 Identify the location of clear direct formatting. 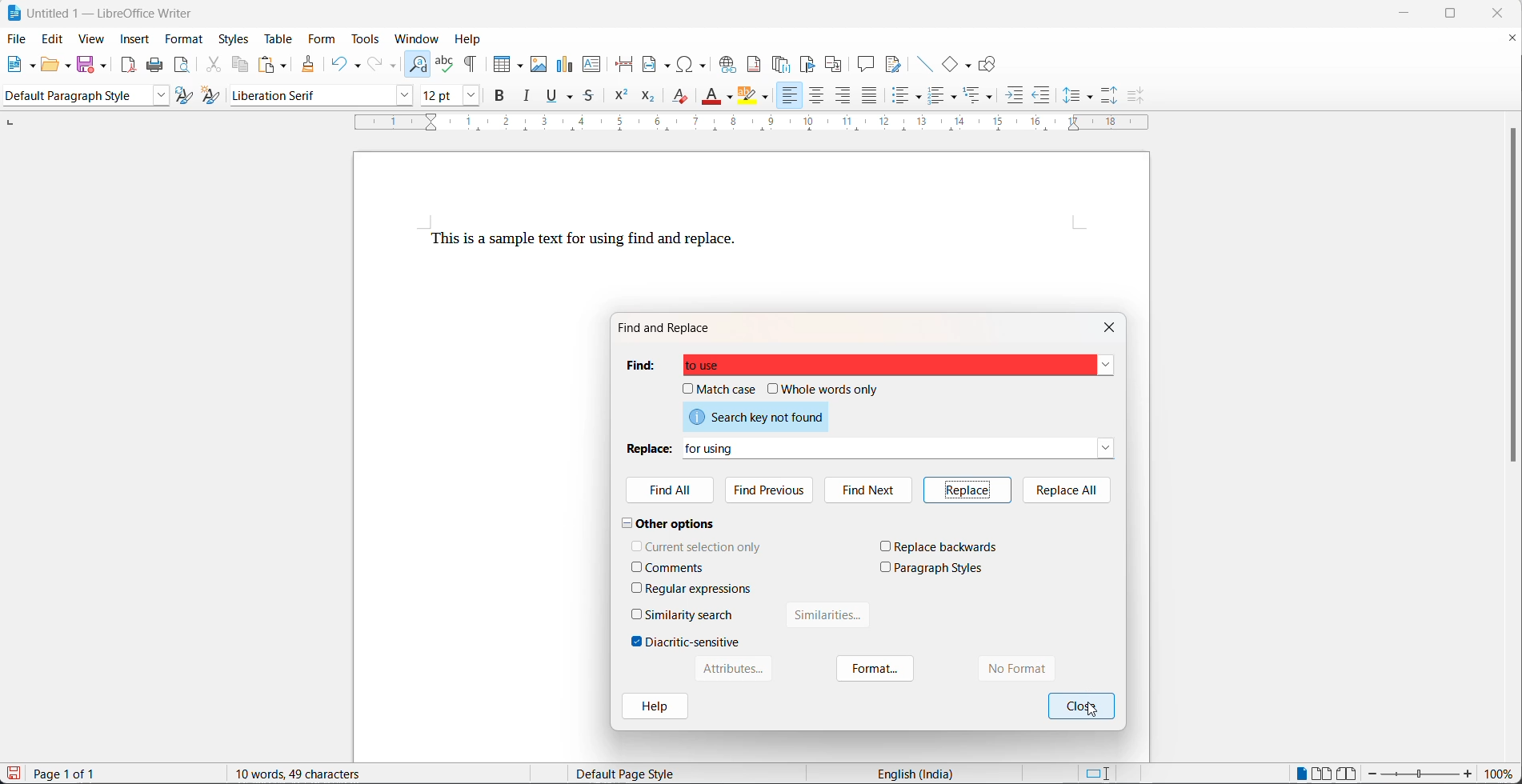
(679, 99).